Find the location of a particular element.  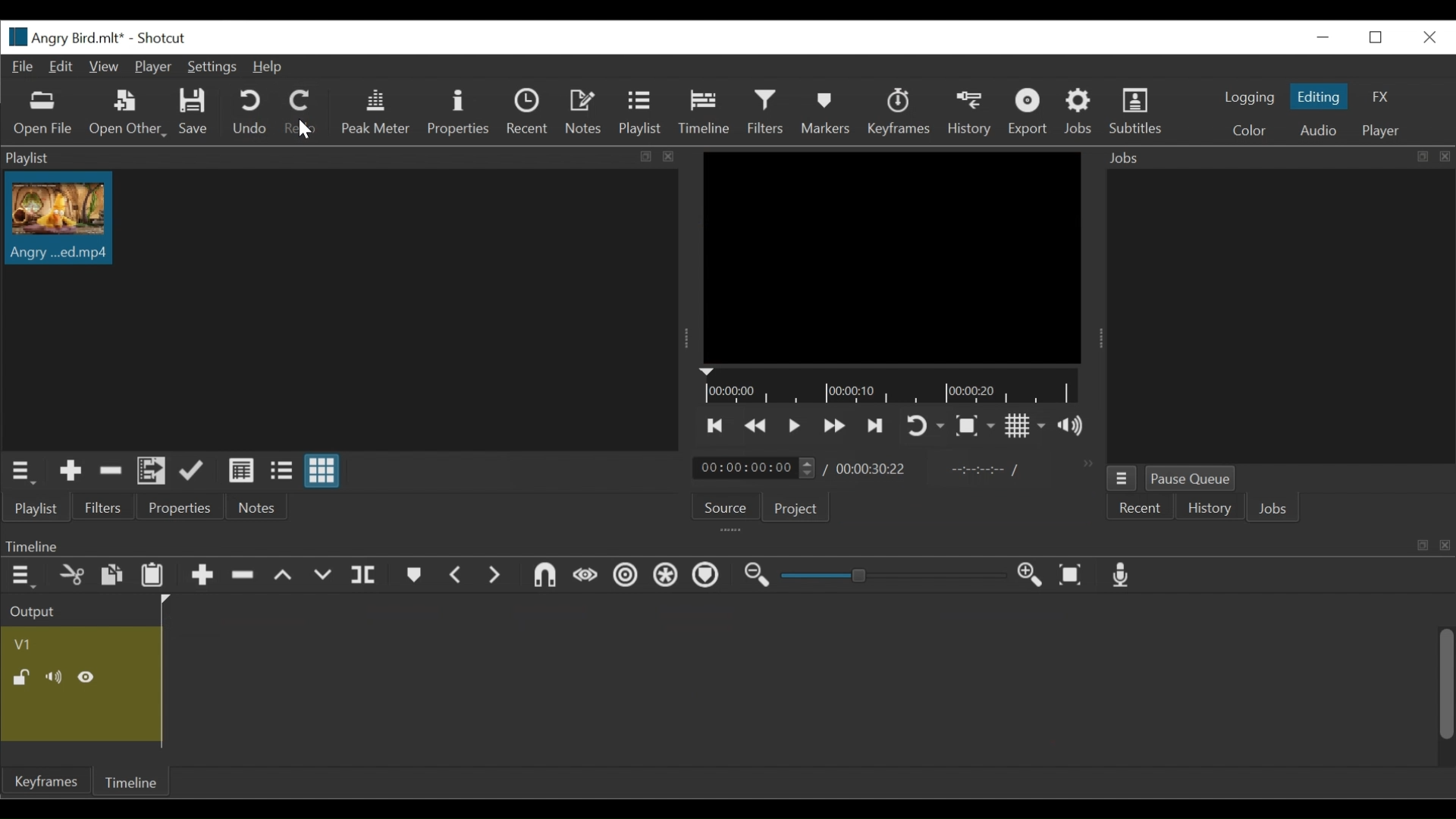

History is located at coordinates (970, 113).